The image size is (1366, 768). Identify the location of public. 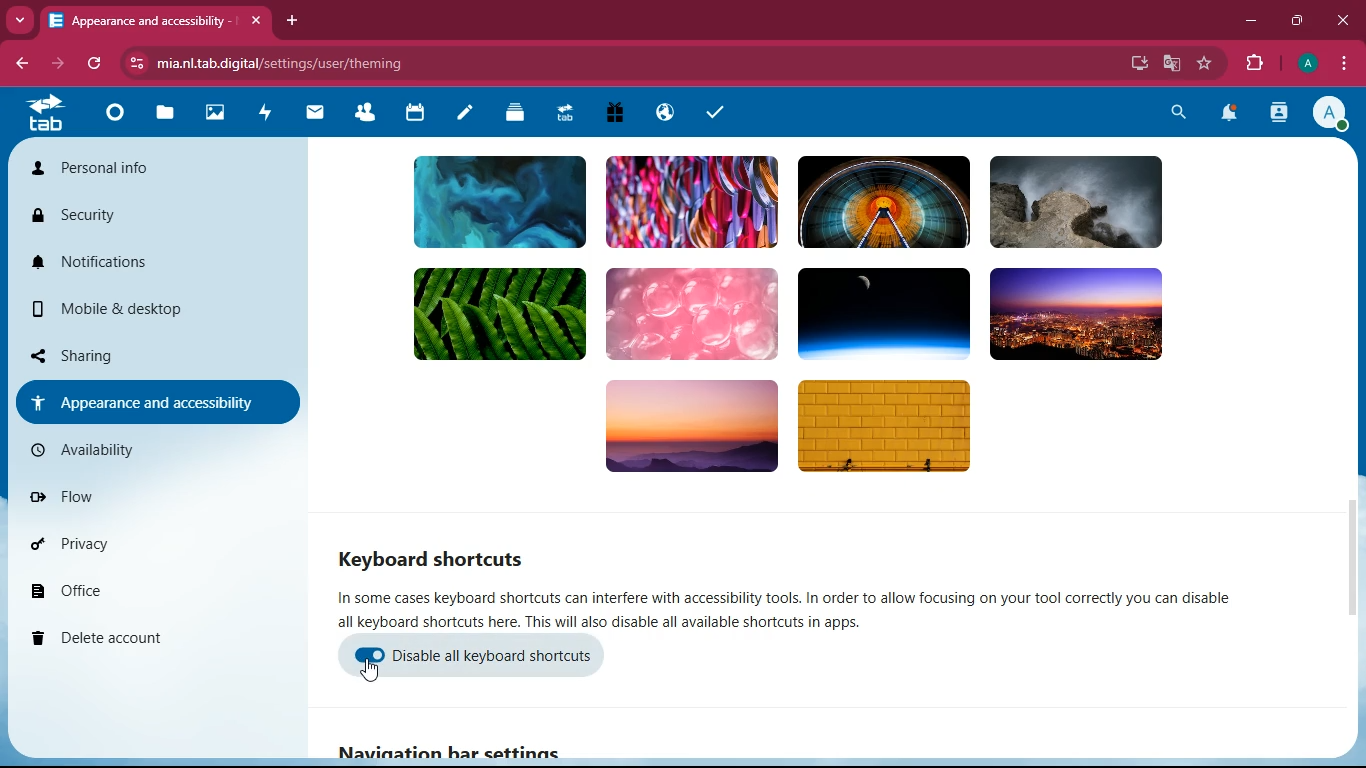
(668, 113).